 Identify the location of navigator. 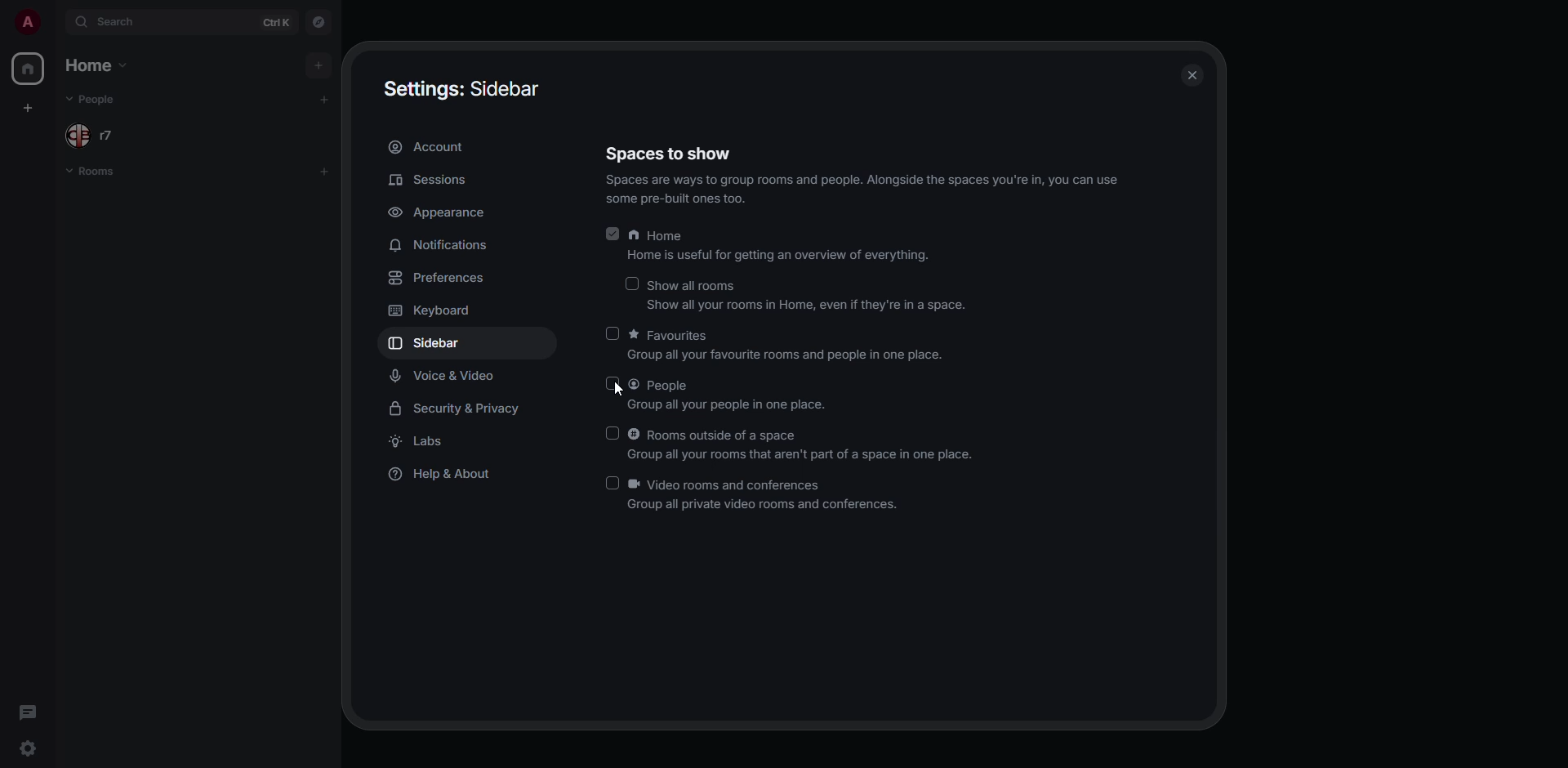
(321, 23).